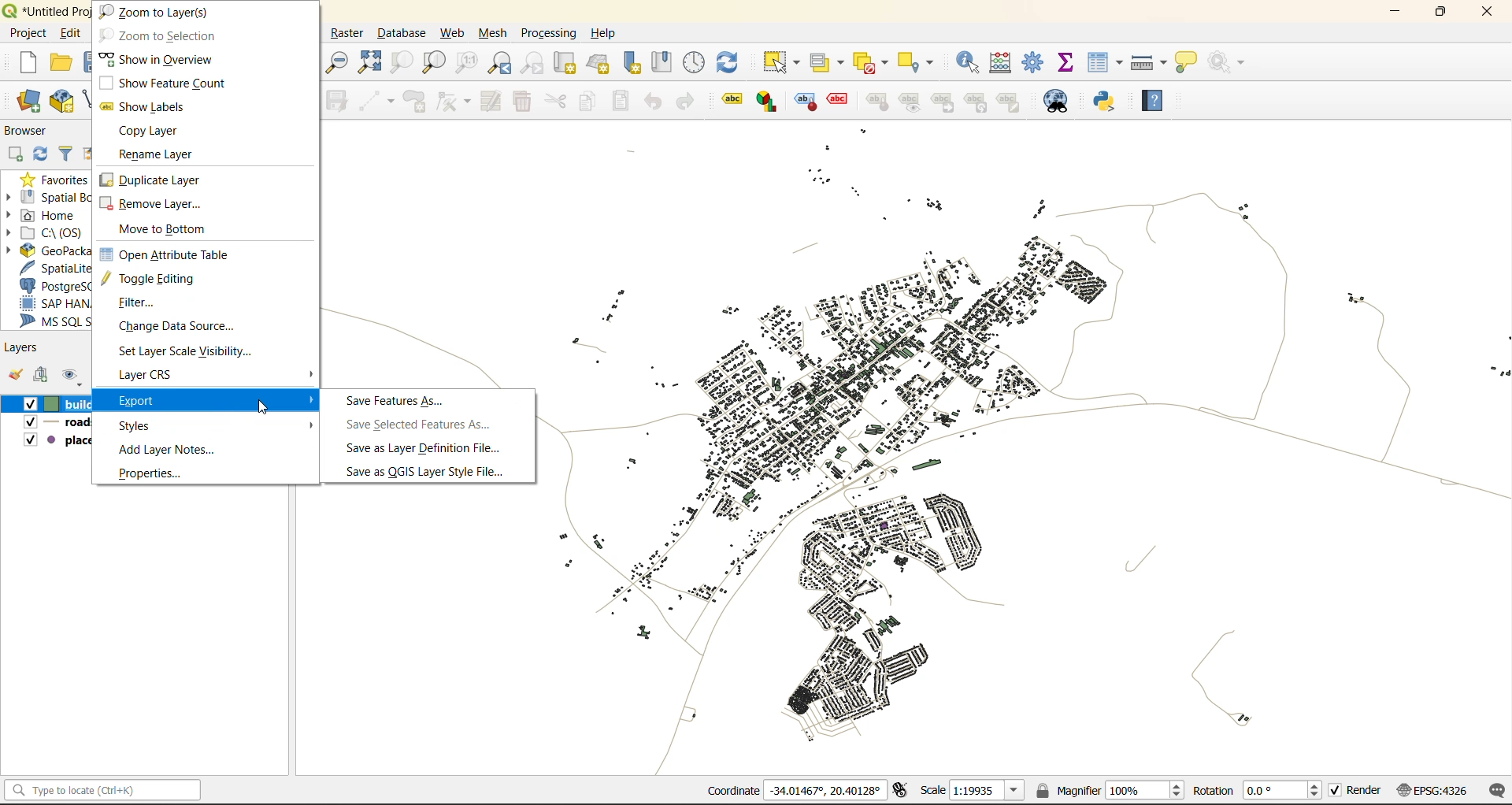  Describe the element at coordinates (405, 32) in the screenshot. I see `database` at that location.